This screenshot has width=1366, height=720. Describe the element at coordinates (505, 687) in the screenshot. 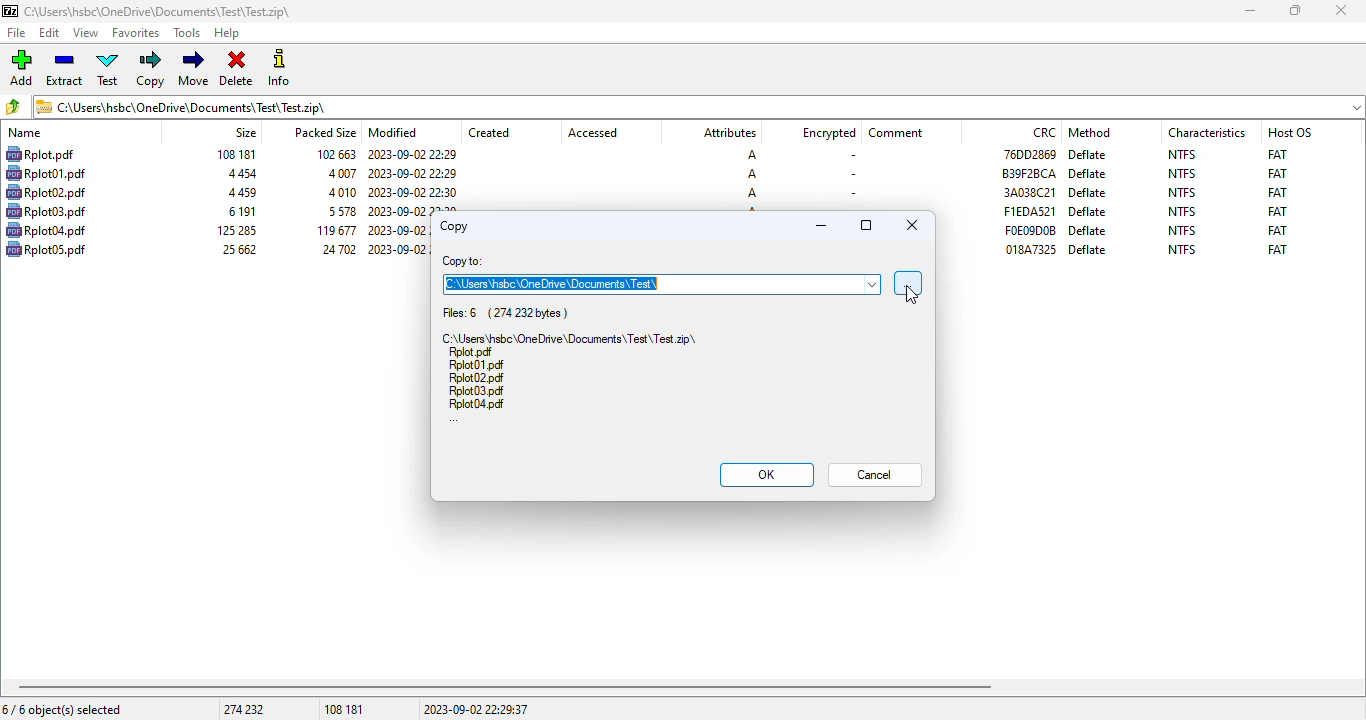

I see `horizontal scroll bar` at that location.